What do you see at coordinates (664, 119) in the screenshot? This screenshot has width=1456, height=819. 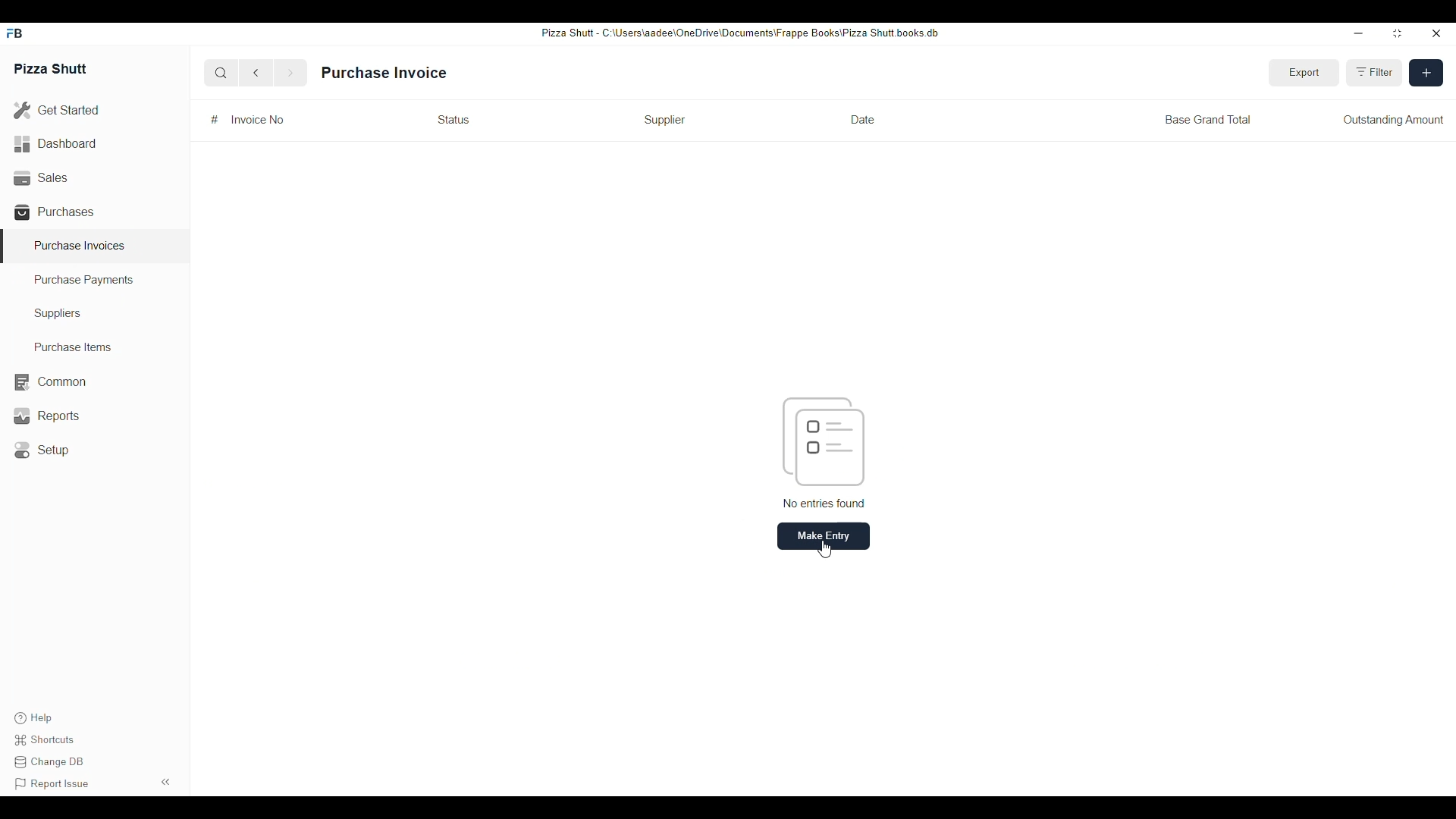 I see `Supplier` at bounding box center [664, 119].